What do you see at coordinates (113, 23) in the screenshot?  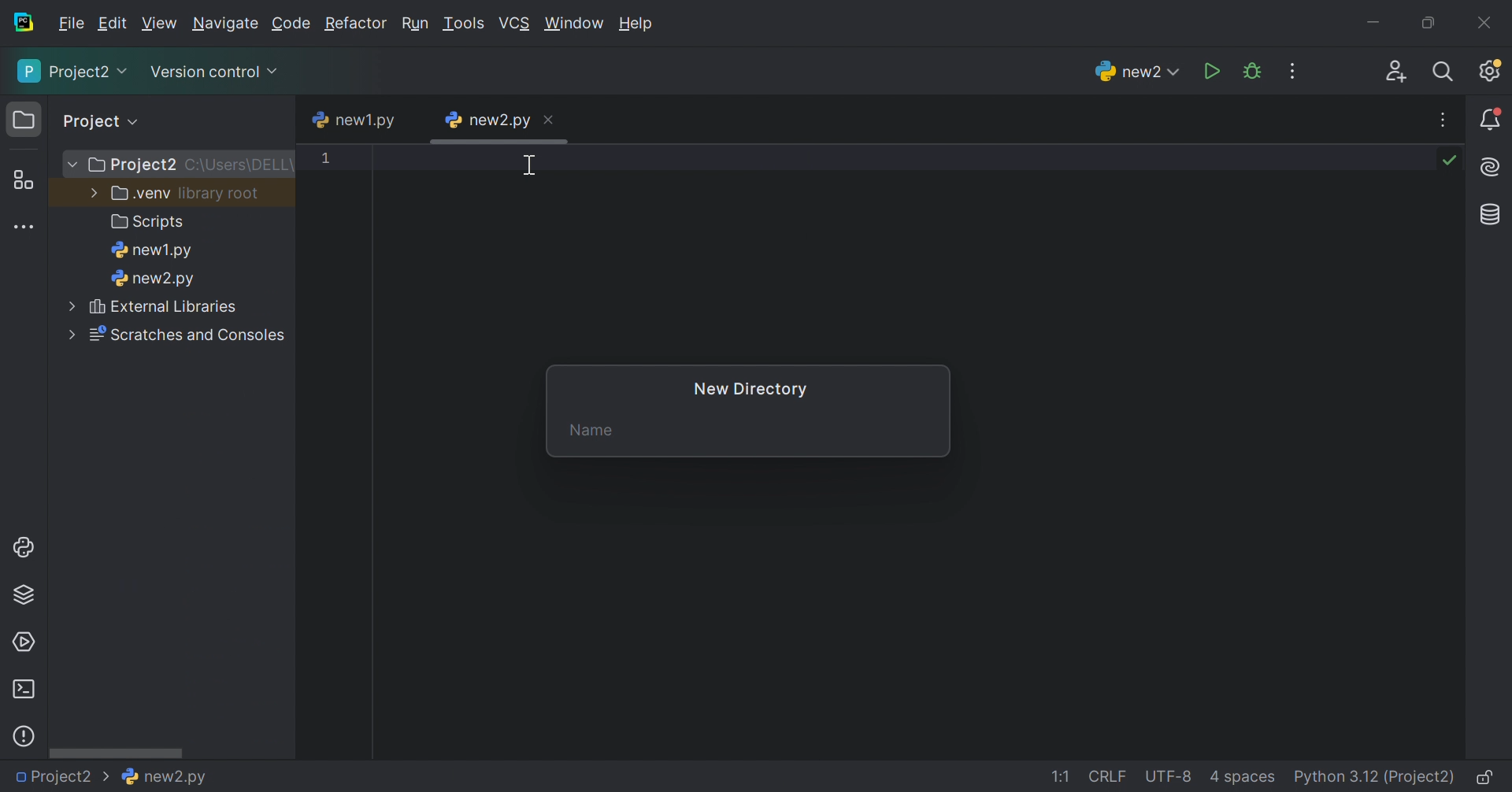 I see `Edit` at bounding box center [113, 23].